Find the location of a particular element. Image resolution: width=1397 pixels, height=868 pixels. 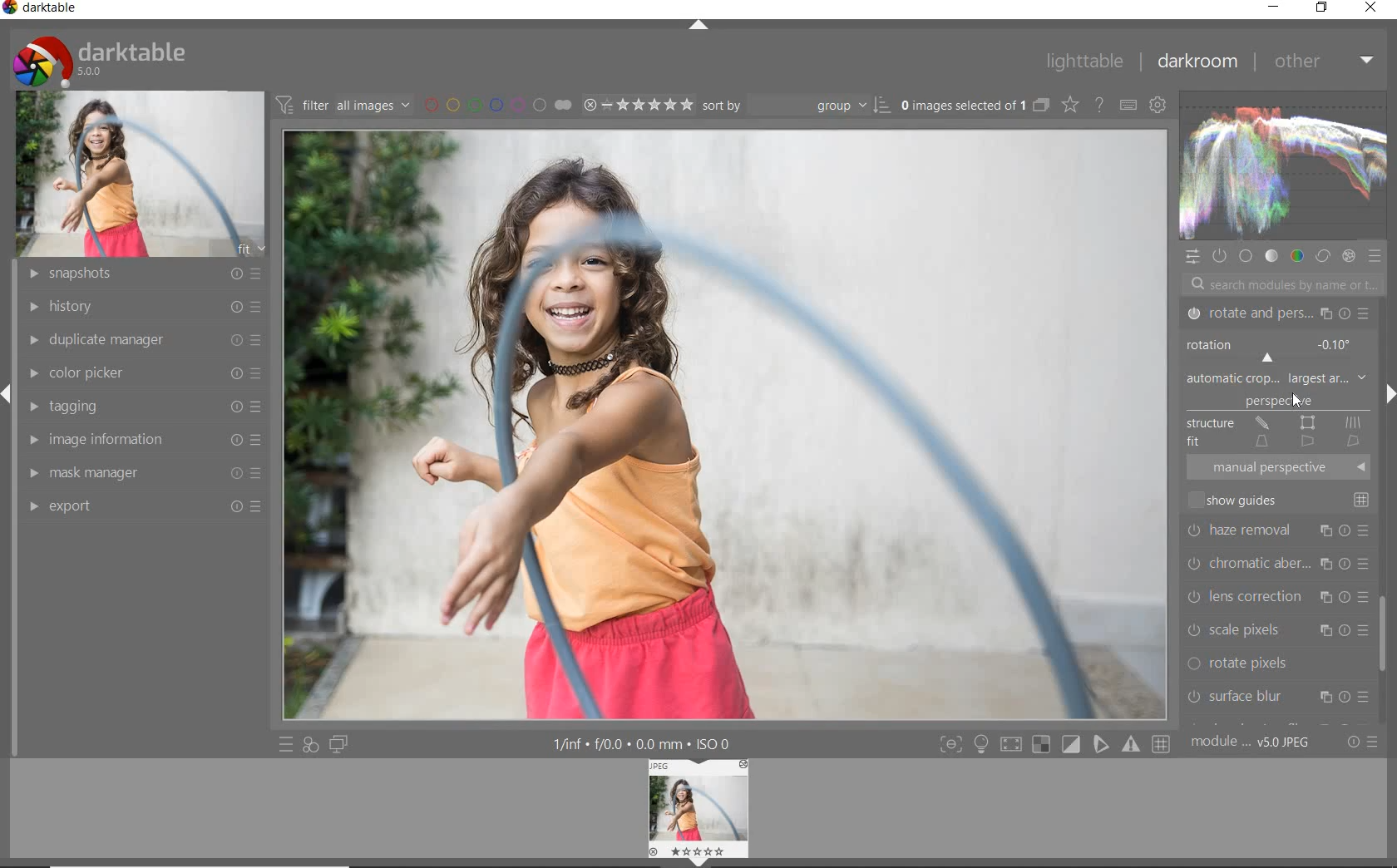

image information is located at coordinates (143, 441).